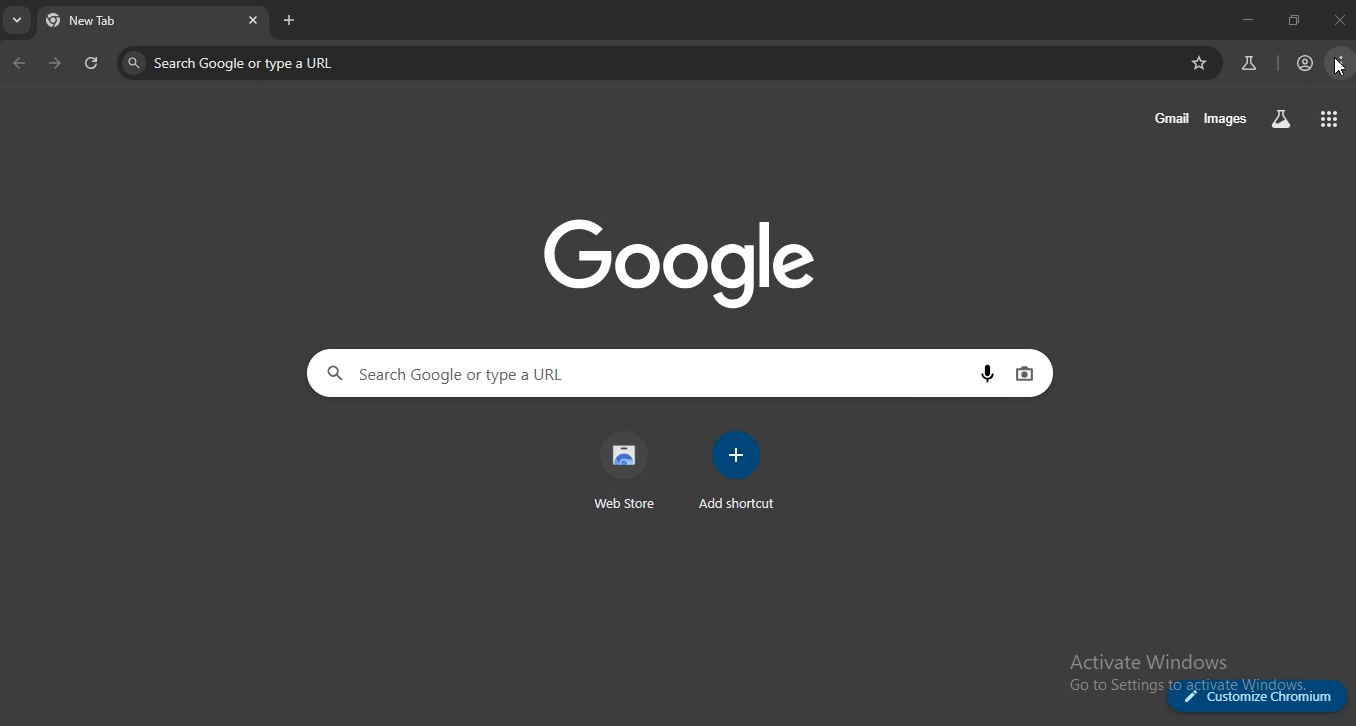 This screenshot has width=1356, height=726. I want to click on web store, so click(625, 471).